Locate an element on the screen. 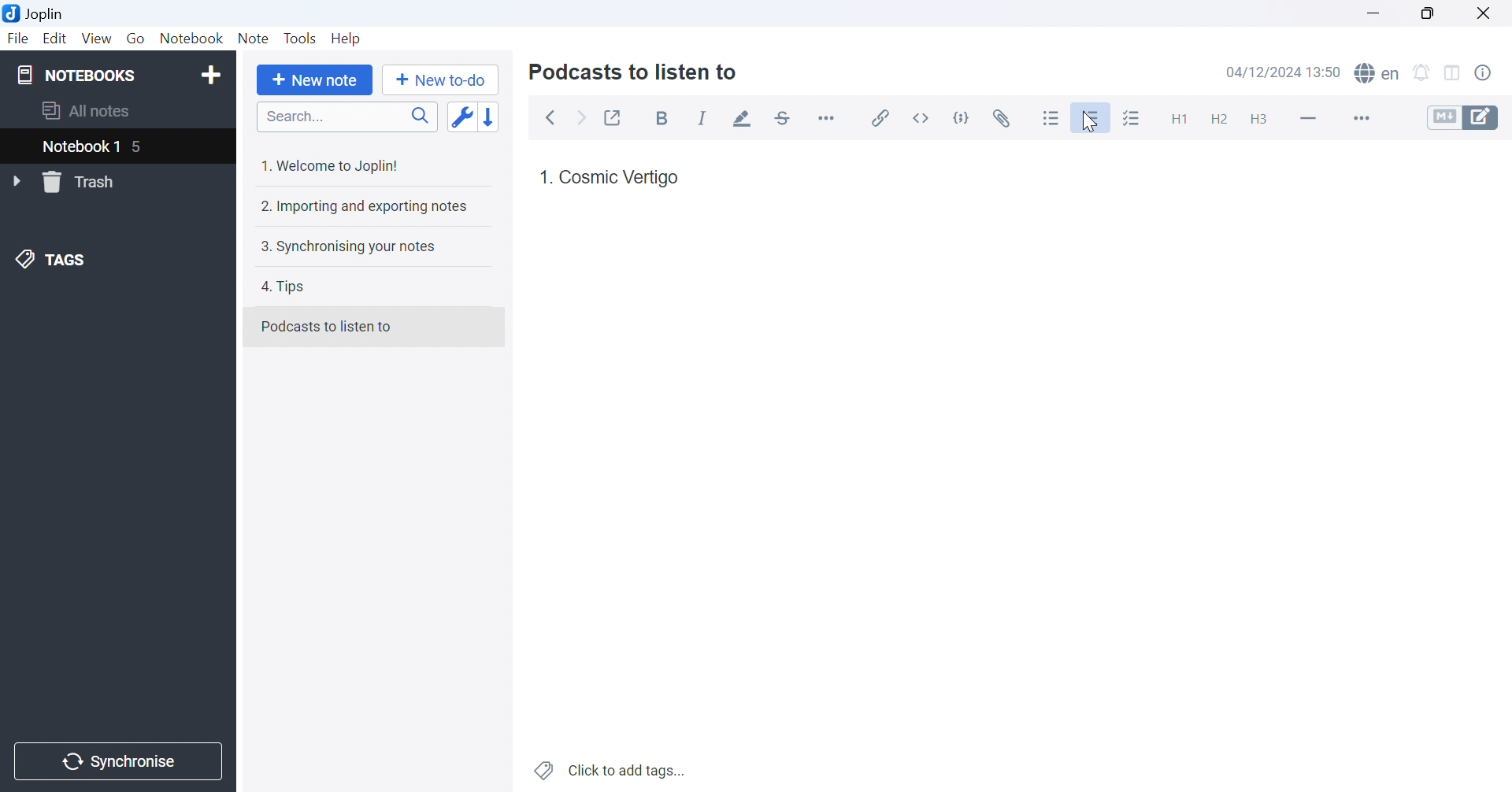  Highlight is located at coordinates (744, 119).